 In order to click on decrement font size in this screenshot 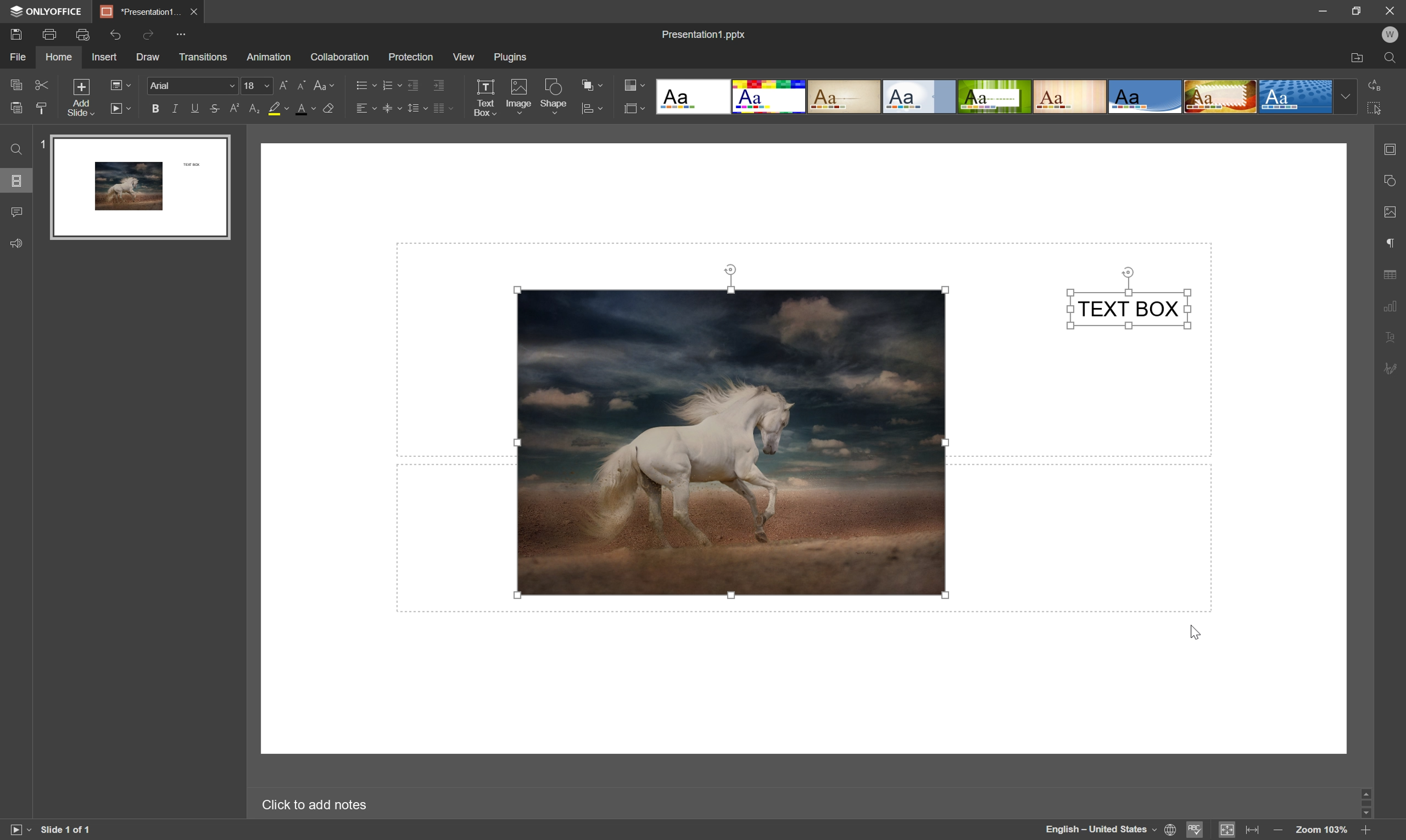, I will do `click(301, 84)`.